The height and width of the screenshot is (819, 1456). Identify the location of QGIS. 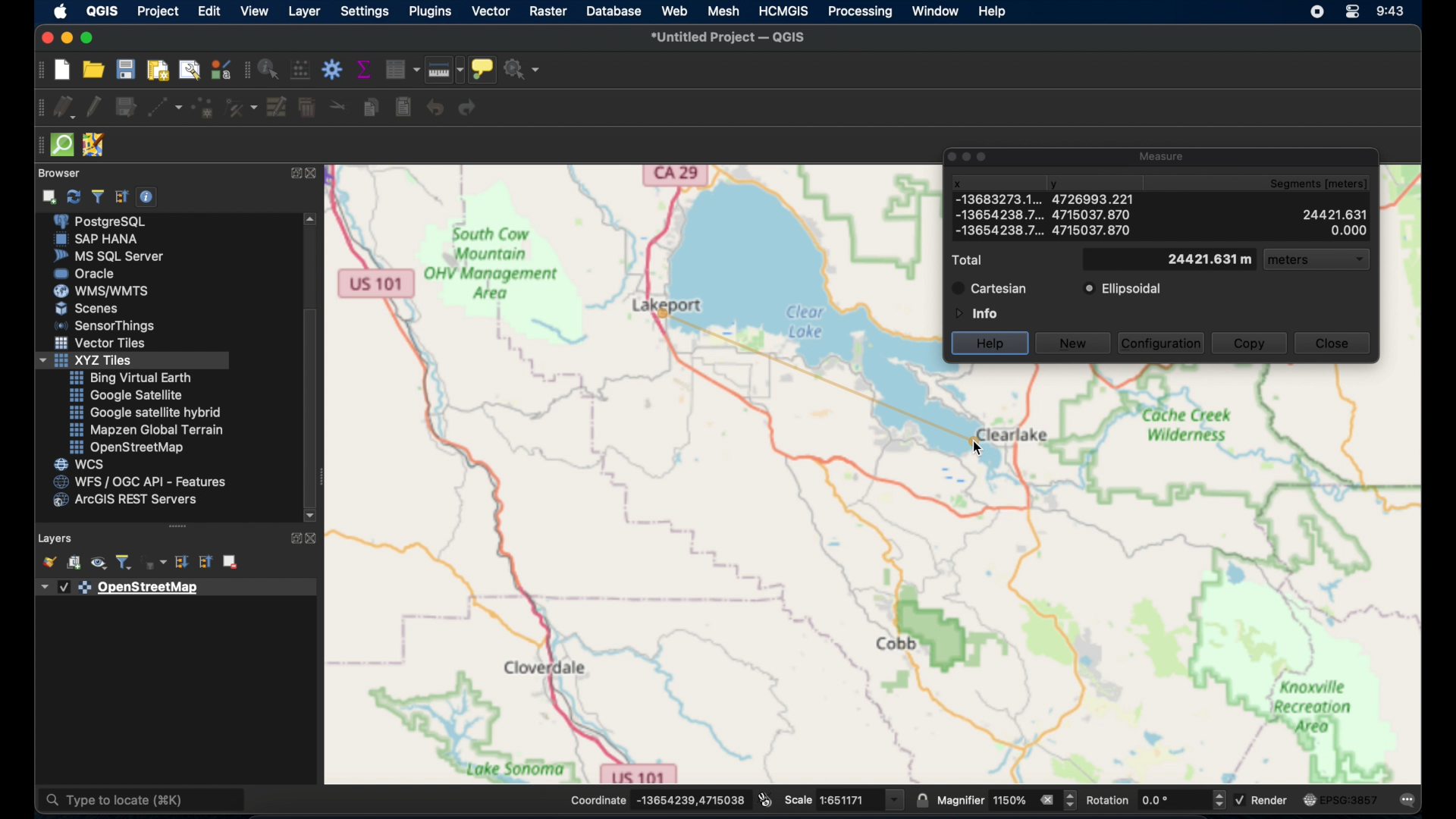
(102, 11).